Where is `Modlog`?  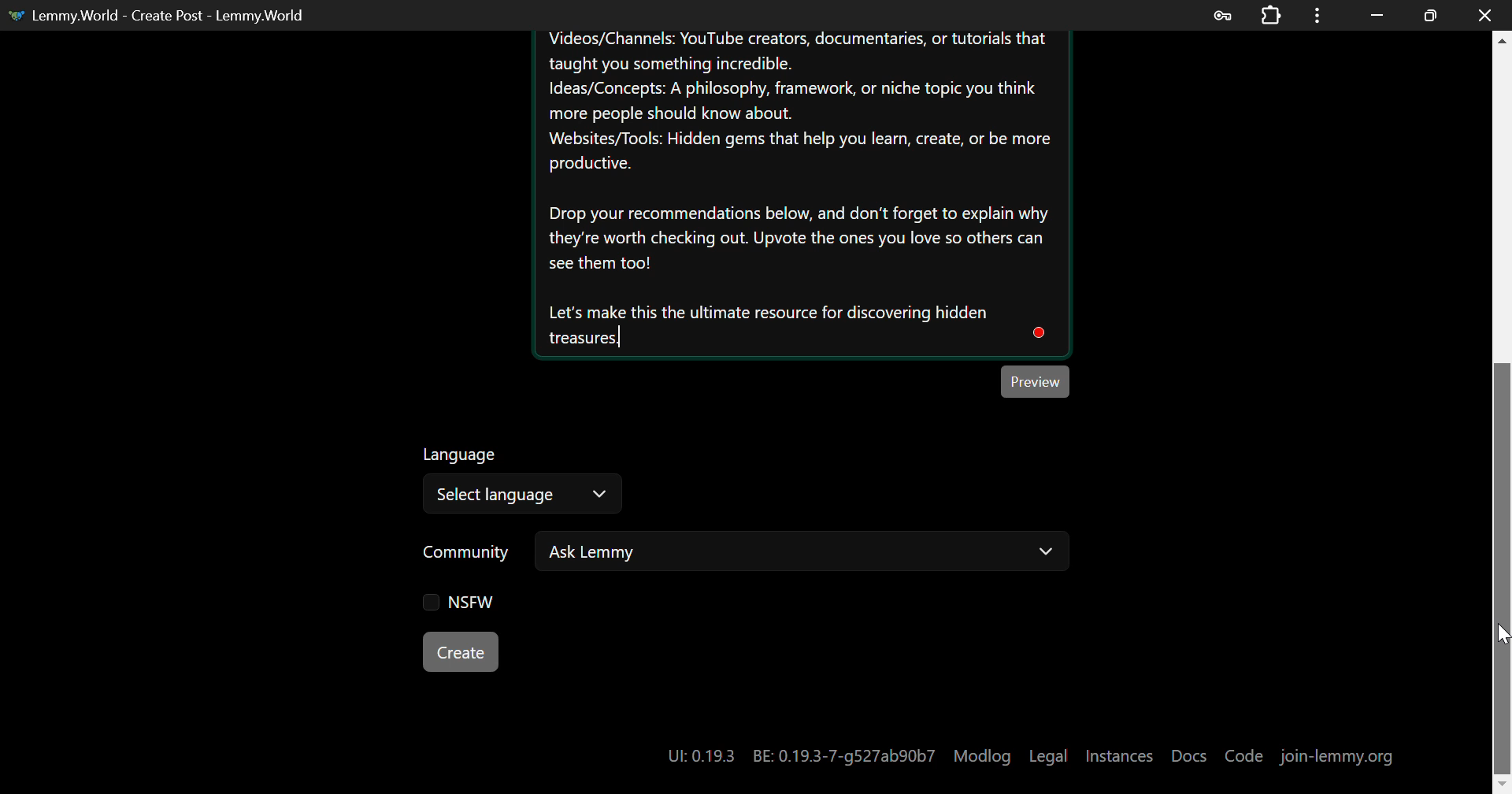 Modlog is located at coordinates (982, 756).